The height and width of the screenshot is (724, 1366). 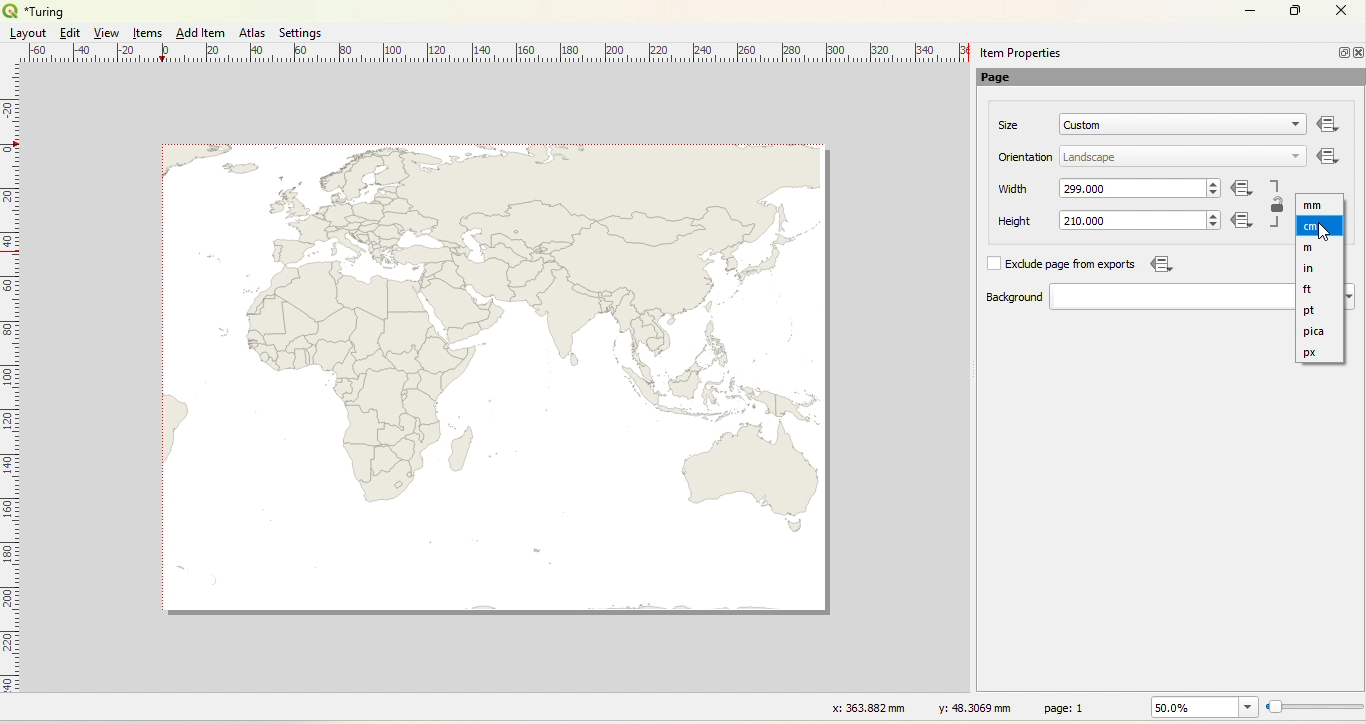 What do you see at coordinates (496, 378) in the screenshot?
I see `Map` at bounding box center [496, 378].